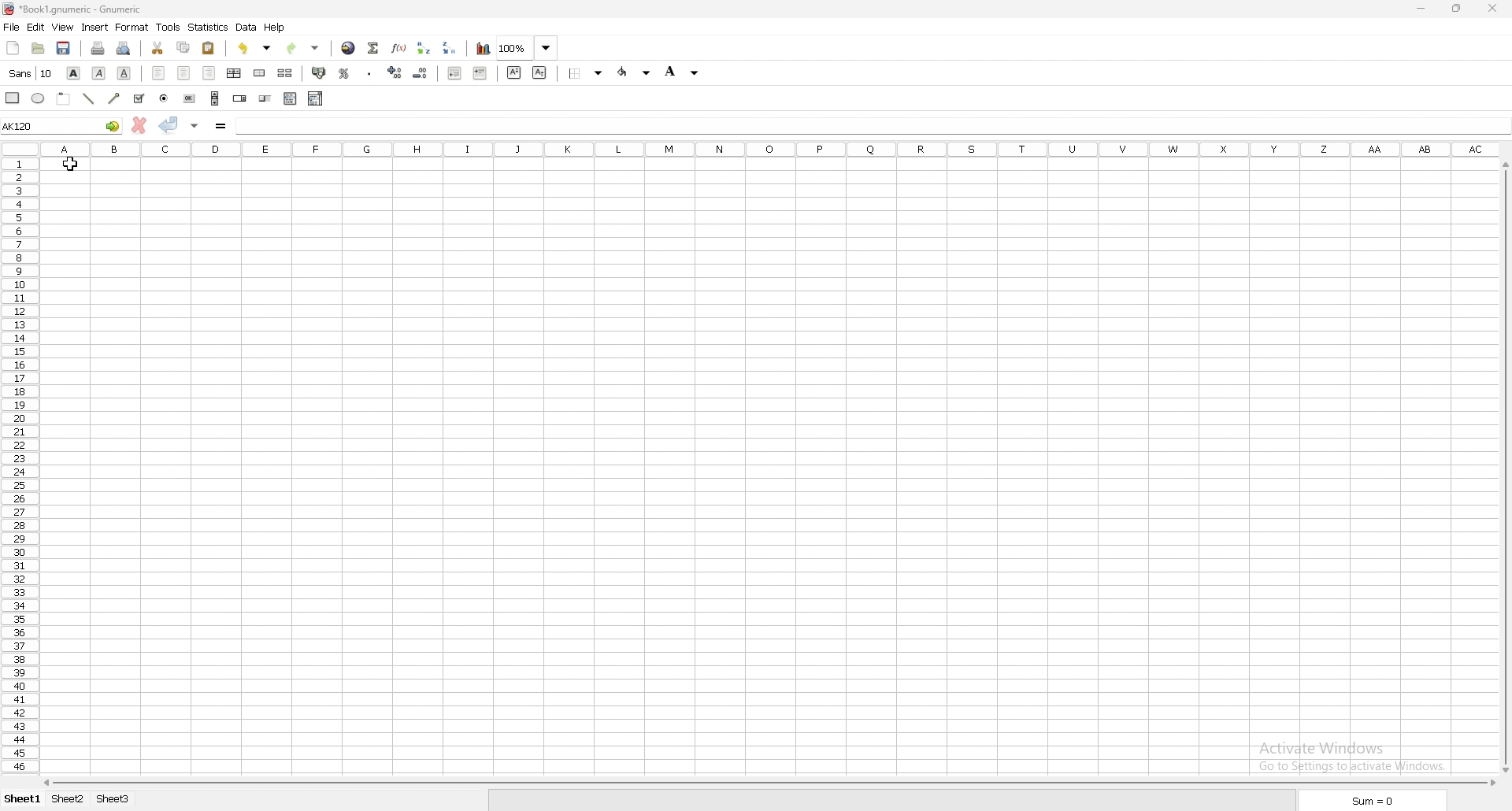  What do you see at coordinates (24, 800) in the screenshot?
I see `sheet 1` at bounding box center [24, 800].